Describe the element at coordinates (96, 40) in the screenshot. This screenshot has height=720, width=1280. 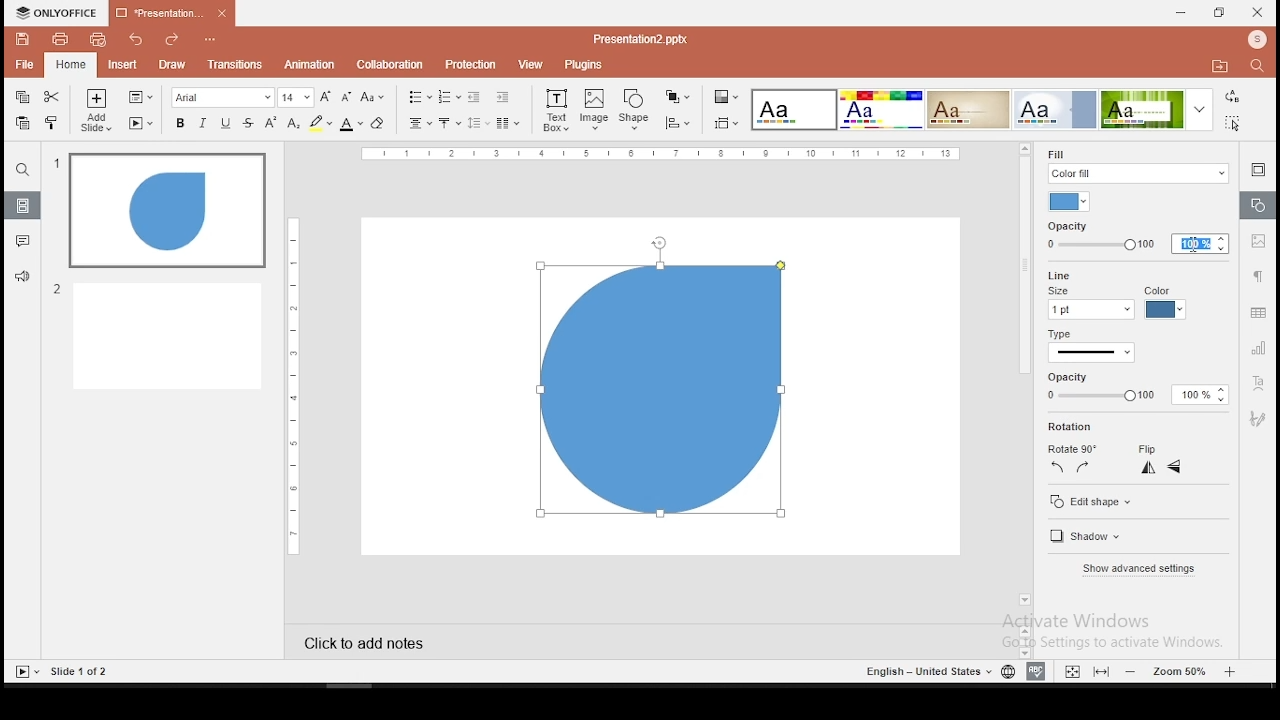
I see `quick print` at that location.